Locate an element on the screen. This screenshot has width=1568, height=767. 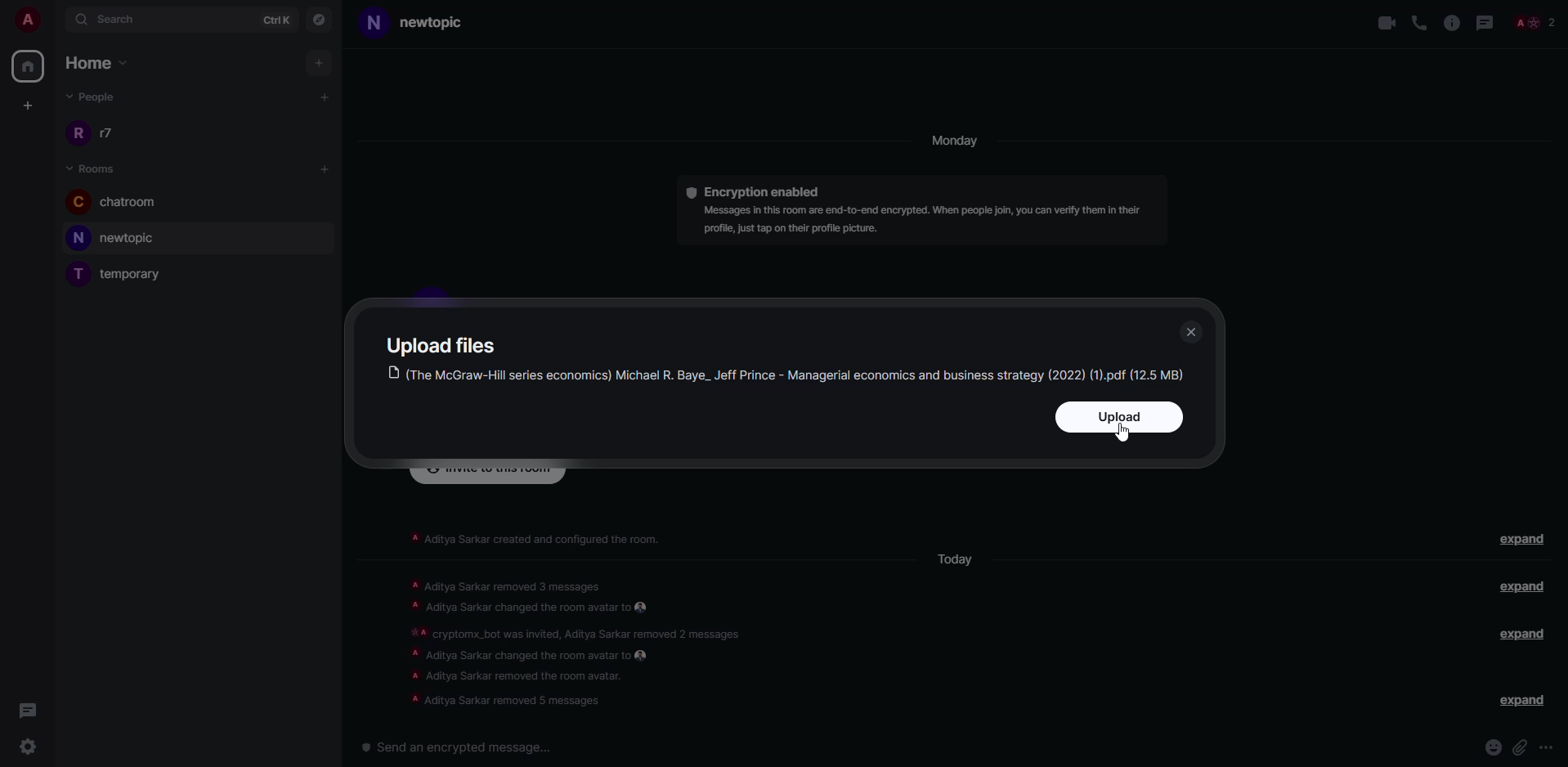
day is located at coordinates (960, 142).